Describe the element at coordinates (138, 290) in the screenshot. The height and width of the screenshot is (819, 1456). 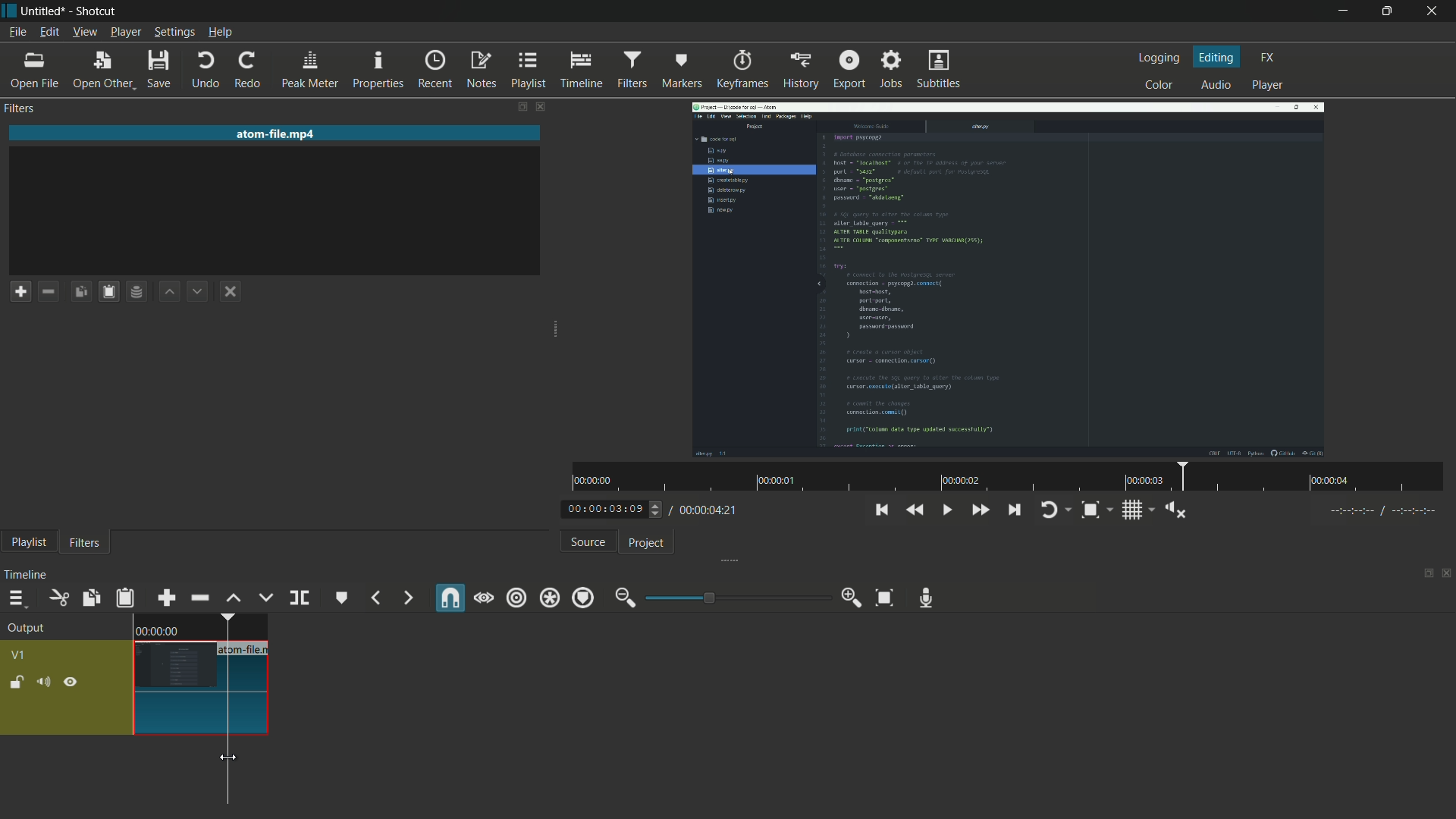
I see `save filter set` at that location.